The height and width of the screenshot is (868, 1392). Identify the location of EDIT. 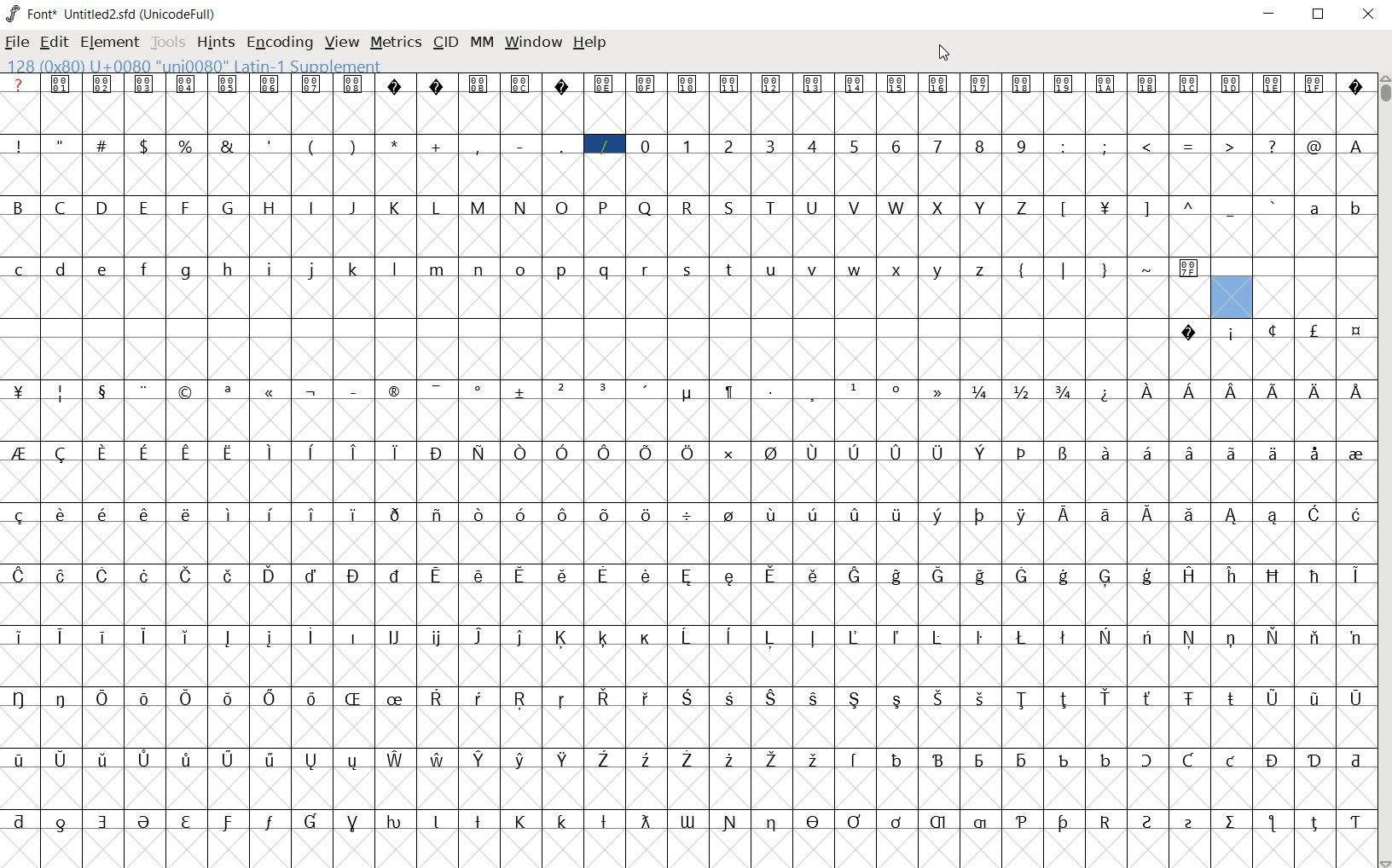
(57, 40).